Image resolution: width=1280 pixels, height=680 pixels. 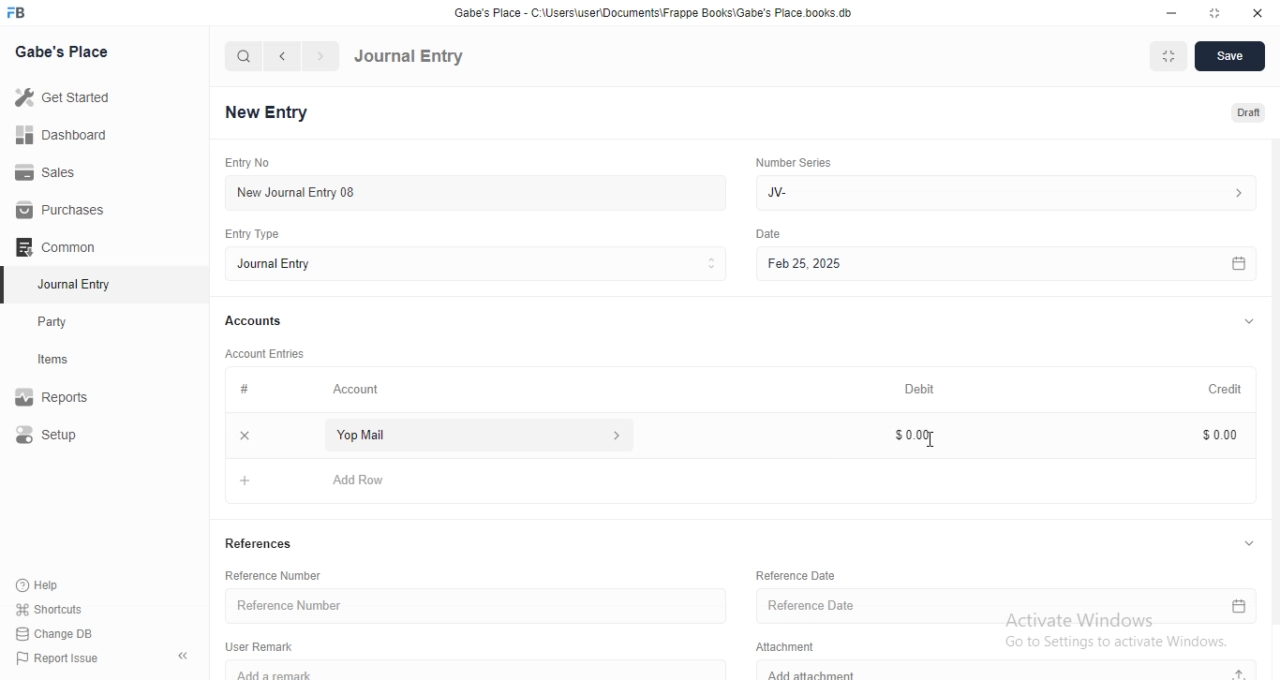 What do you see at coordinates (8, 286) in the screenshot?
I see `selected` at bounding box center [8, 286].